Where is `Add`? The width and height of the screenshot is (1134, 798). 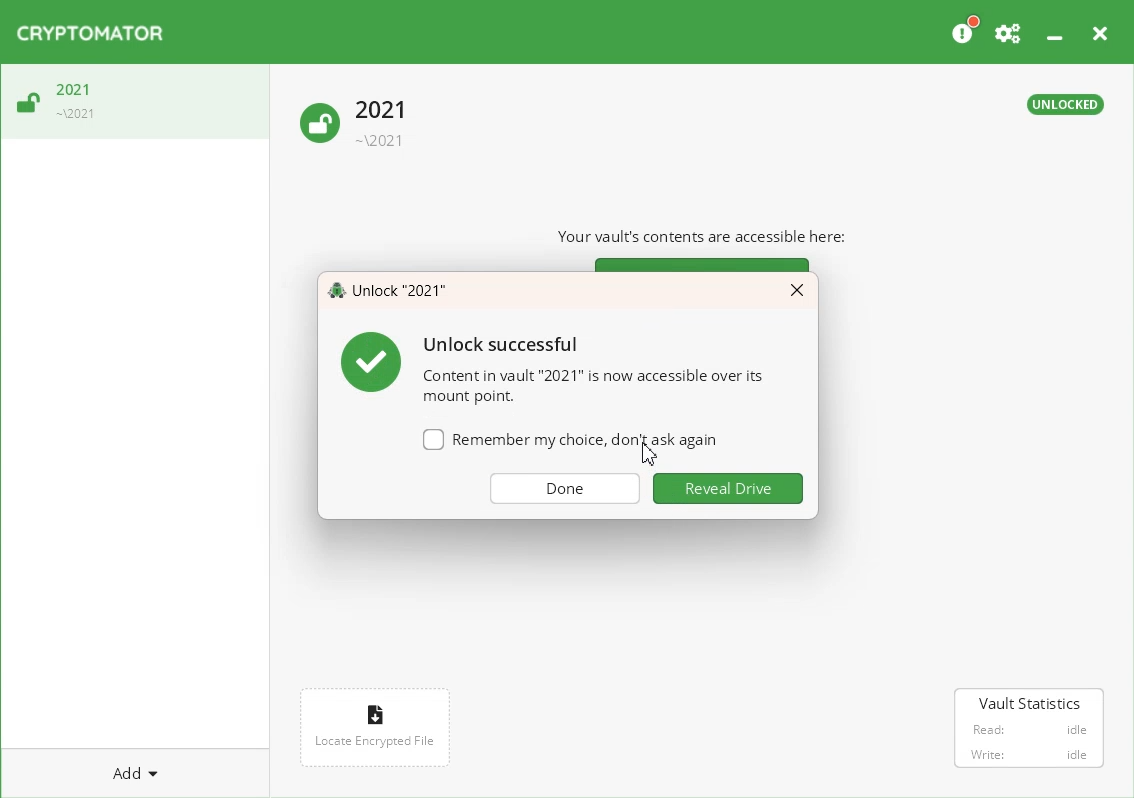 Add is located at coordinates (135, 772).